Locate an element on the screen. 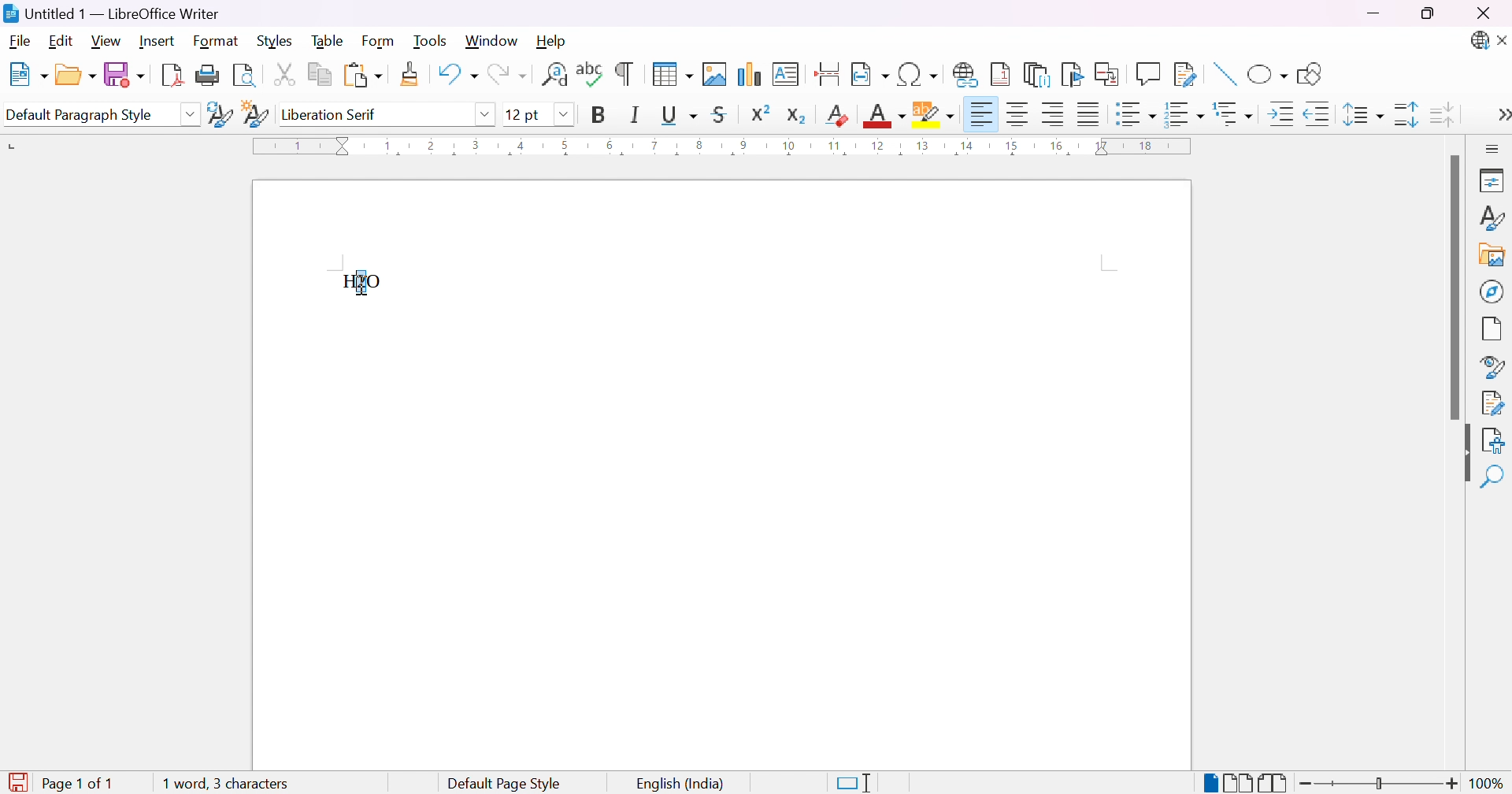 The image size is (1512, 794).  is located at coordinates (624, 74).